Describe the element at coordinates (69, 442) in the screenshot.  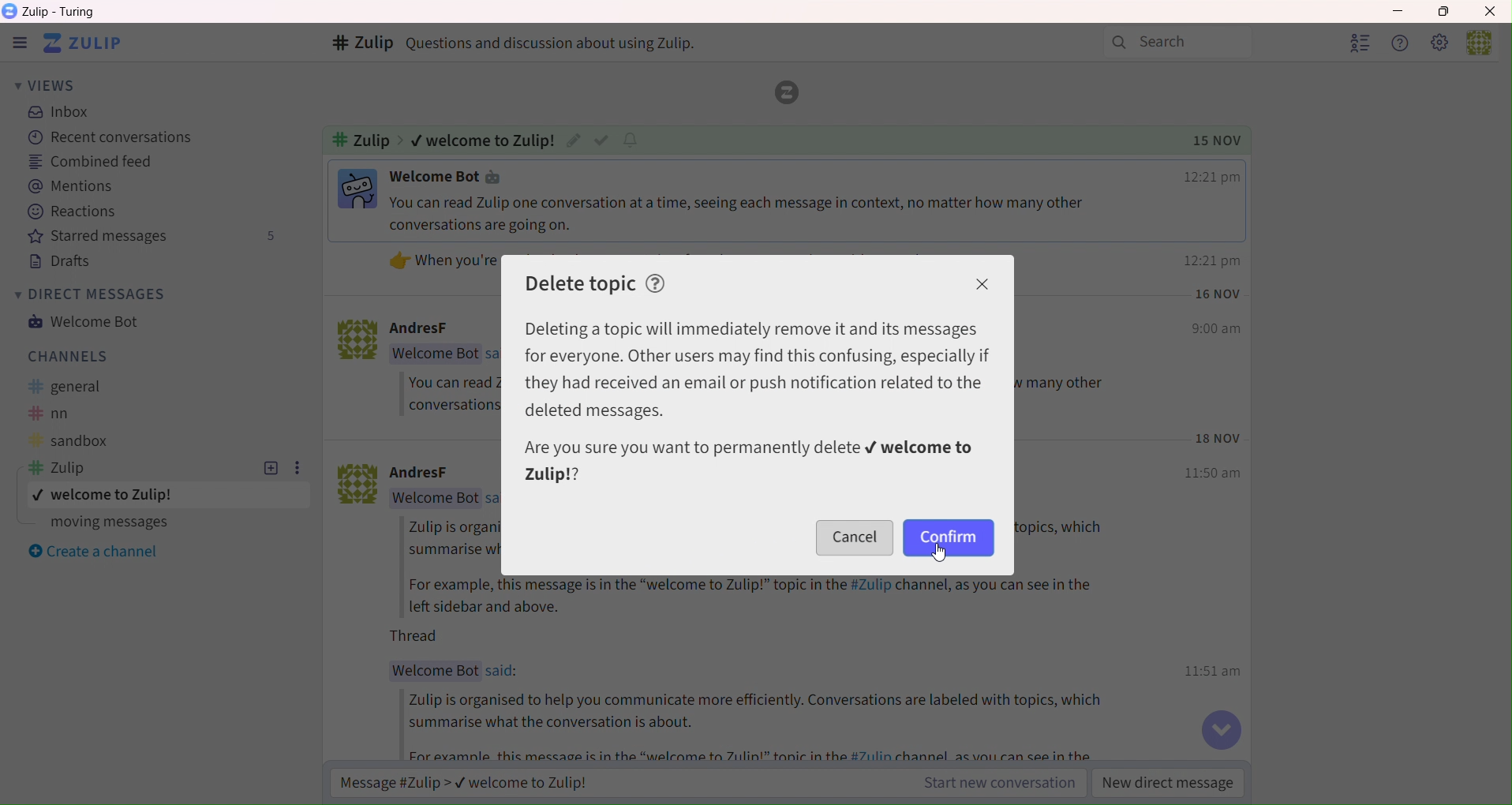
I see `Text` at that location.